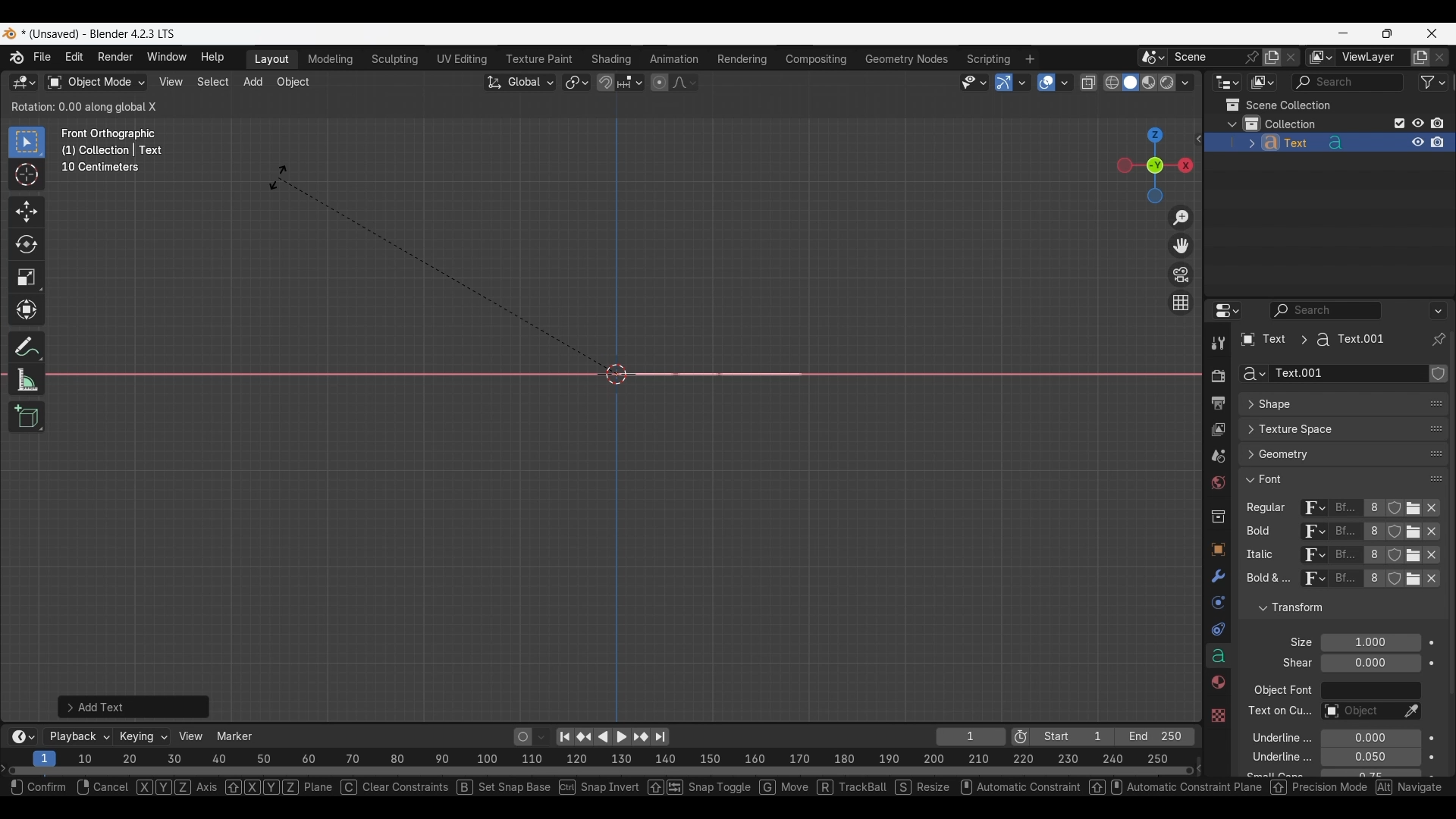 Image resolution: width=1456 pixels, height=819 pixels. I want to click on Collection 1, so click(1283, 124).